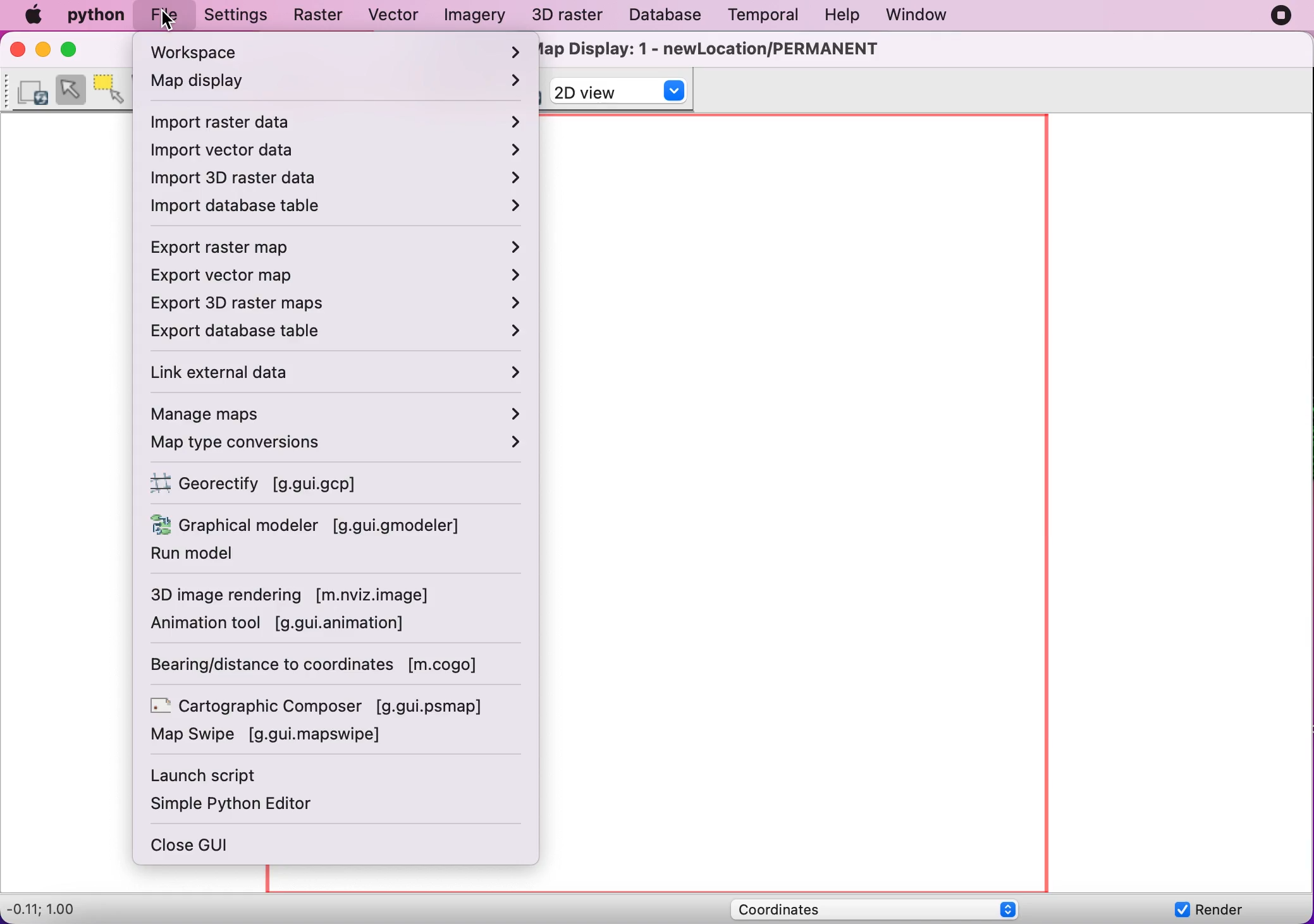 The height and width of the screenshot is (924, 1314). What do you see at coordinates (336, 414) in the screenshot?
I see `manage maps` at bounding box center [336, 414].